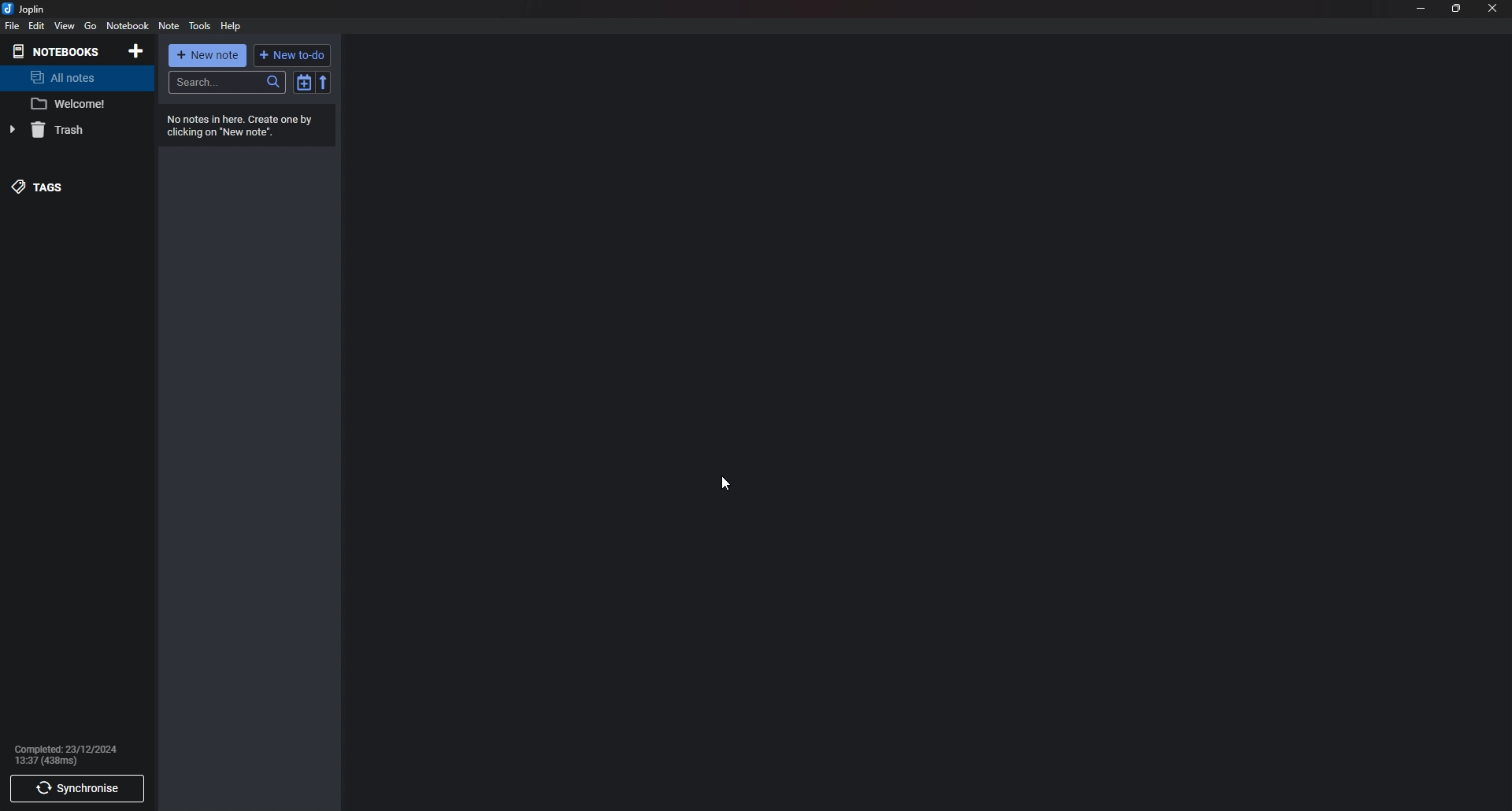  What do you see at coordinates (200, 26) in the screenshot?
I see `Tools` at bounding box center [200, 26].